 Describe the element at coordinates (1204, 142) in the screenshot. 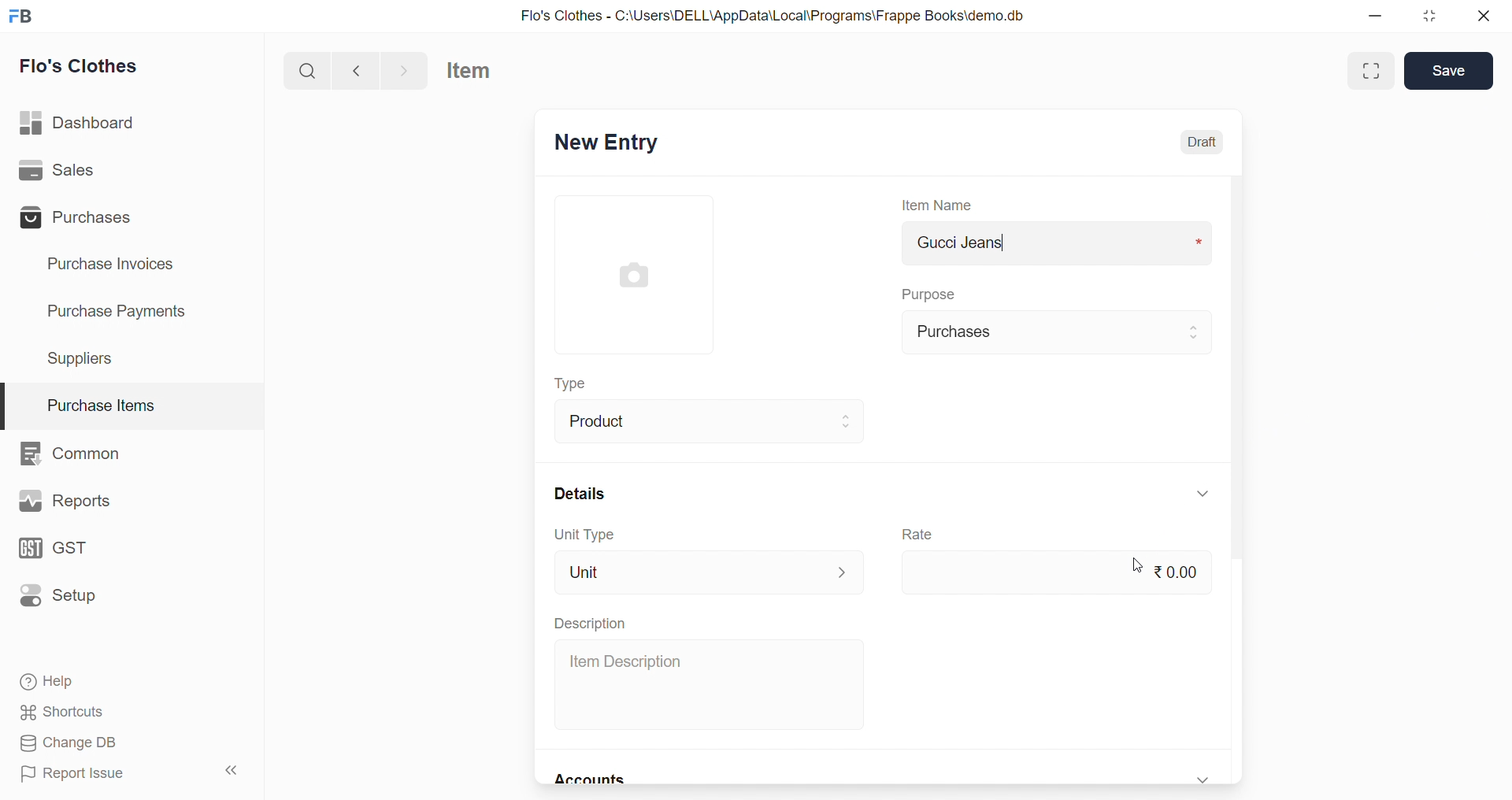

I see `Draft` at that location.